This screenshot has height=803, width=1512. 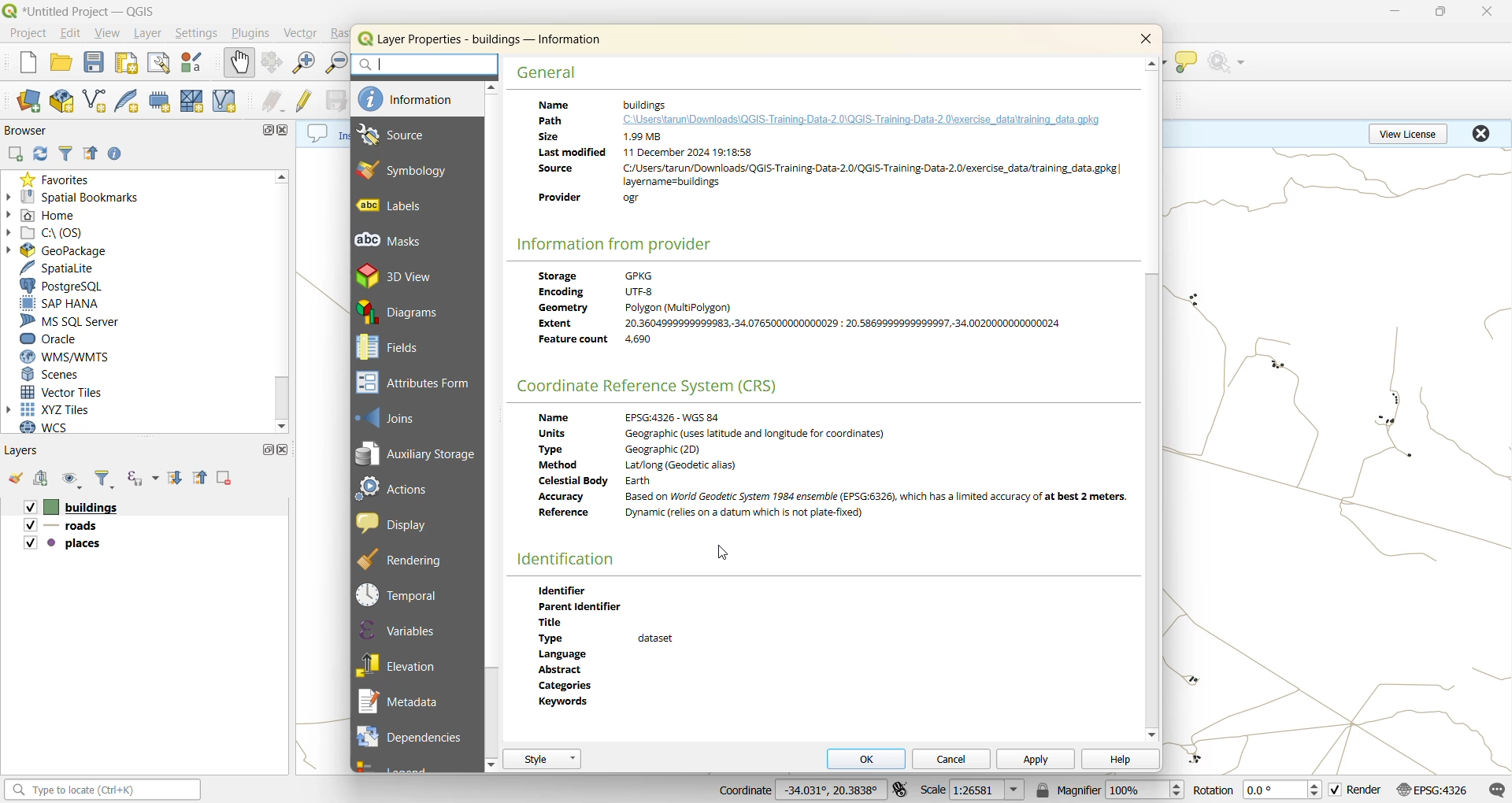 What do you see at coordinates (799, 791) in the screenshot?
I see `coordinates` at bounding box center [799, 791].